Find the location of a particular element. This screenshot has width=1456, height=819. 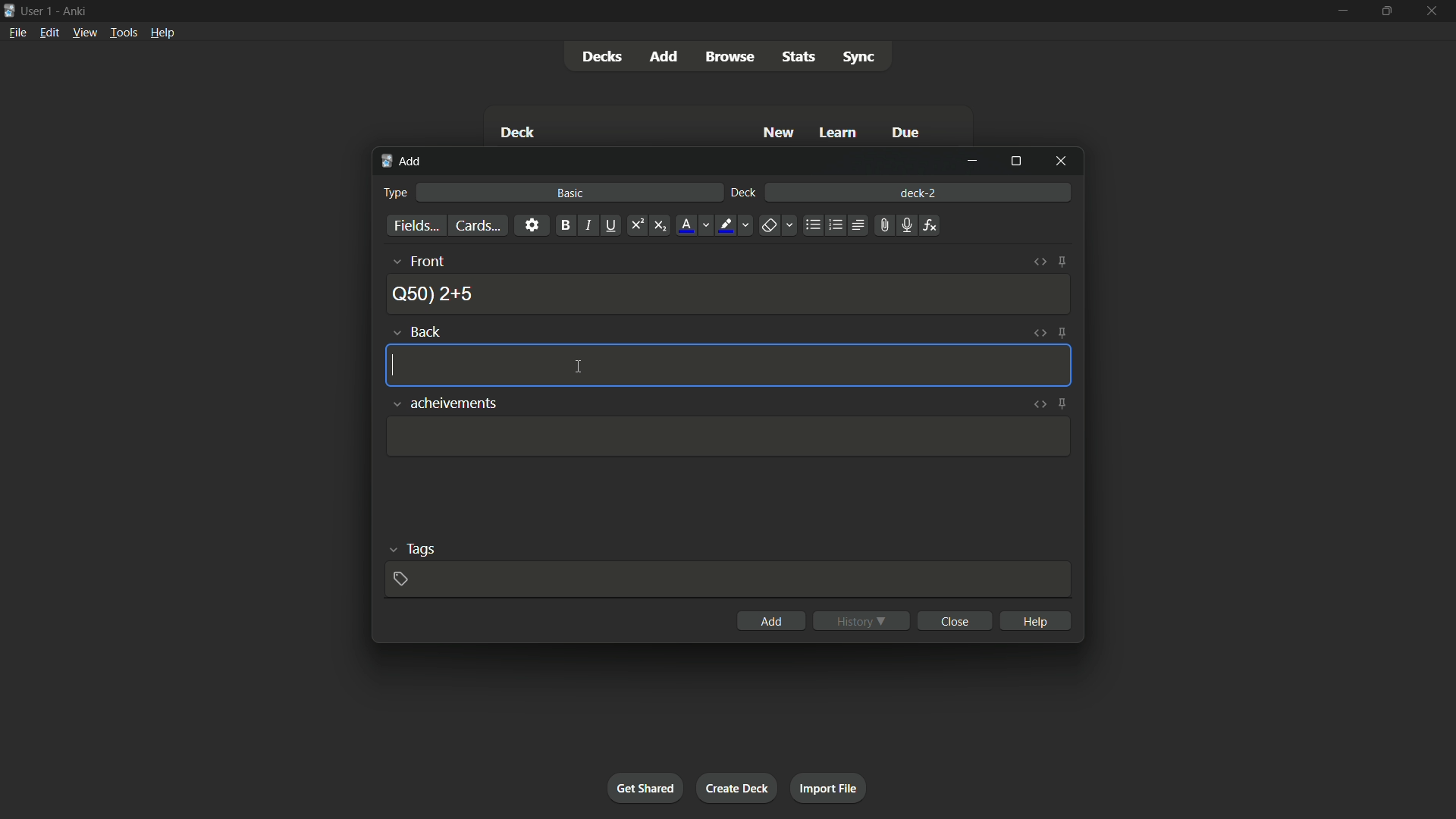

sync is located at coordinates (861, 58).